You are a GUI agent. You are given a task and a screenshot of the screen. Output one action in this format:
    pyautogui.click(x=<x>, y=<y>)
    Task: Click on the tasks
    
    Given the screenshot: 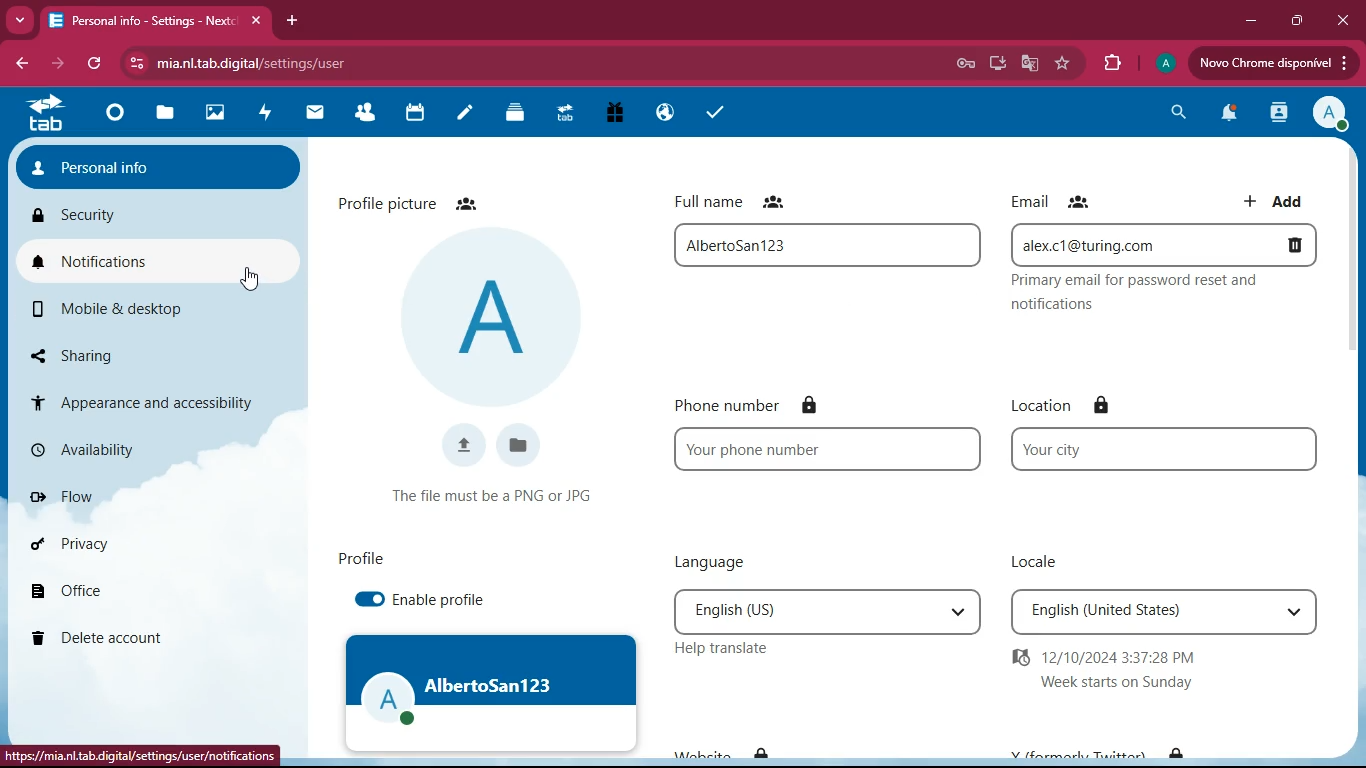 What is the action you would take?
    pyautogui.click(x=711, y=112)
    